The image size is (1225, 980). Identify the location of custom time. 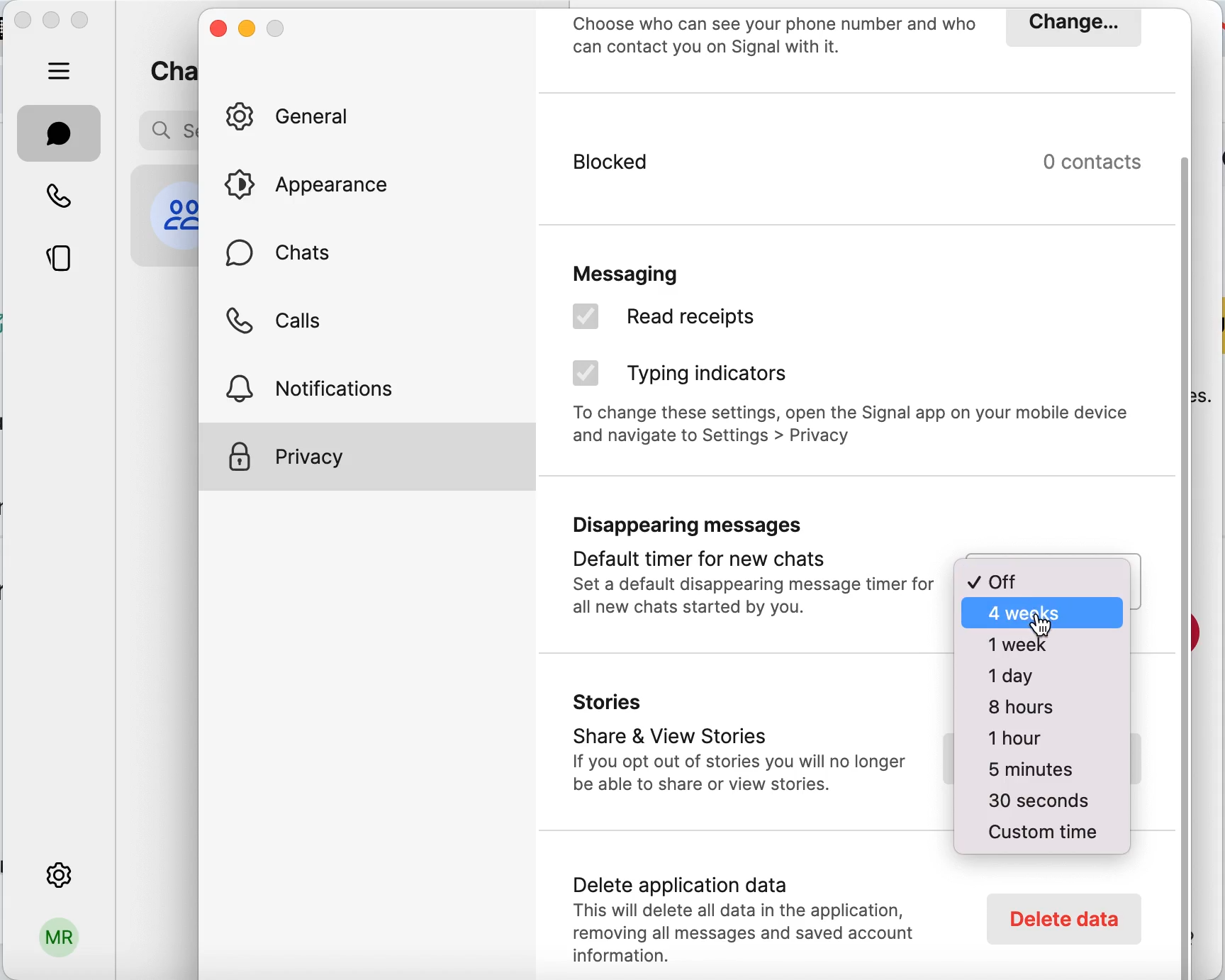
(1041, 831).